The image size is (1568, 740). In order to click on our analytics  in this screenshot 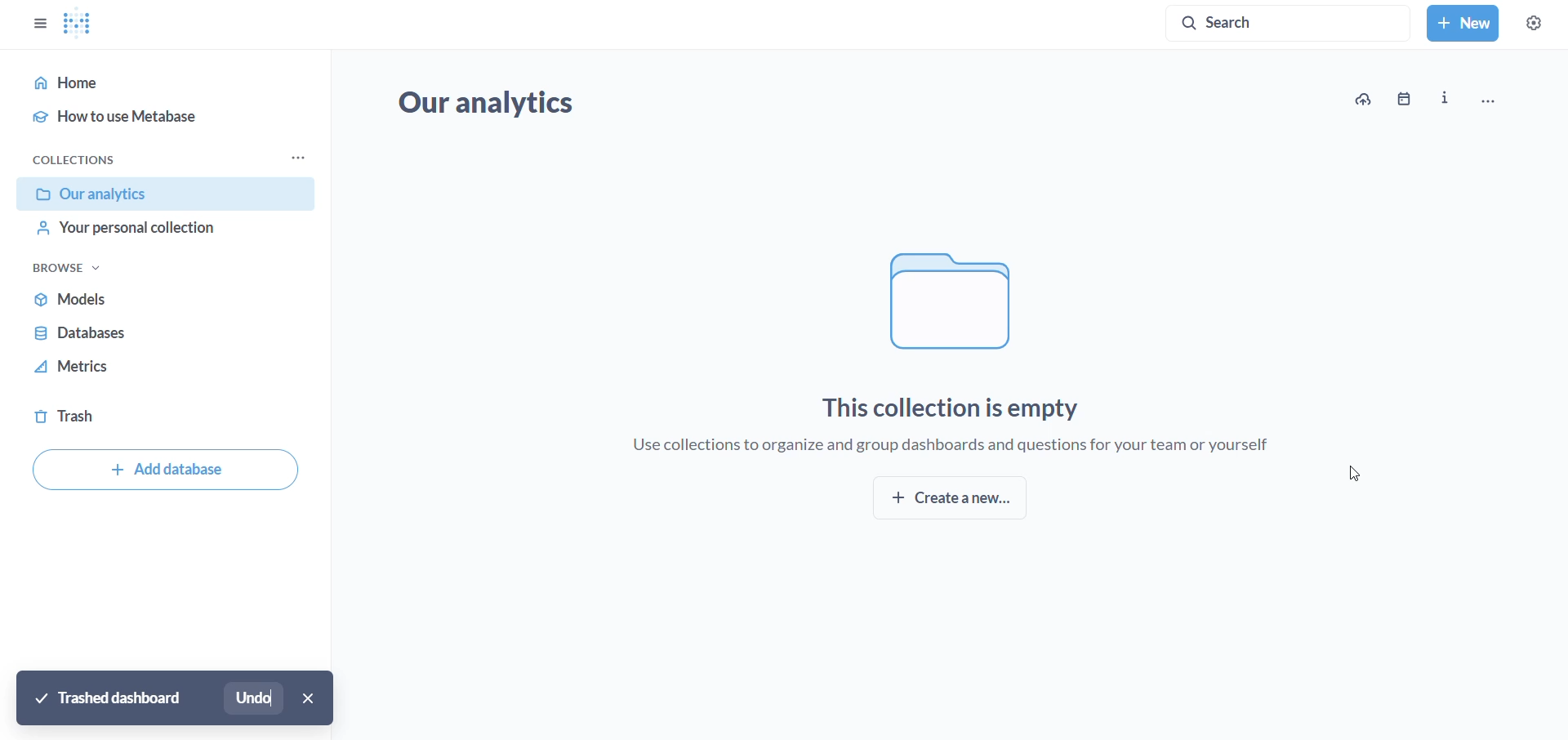, I will do `click(497, 106)`.